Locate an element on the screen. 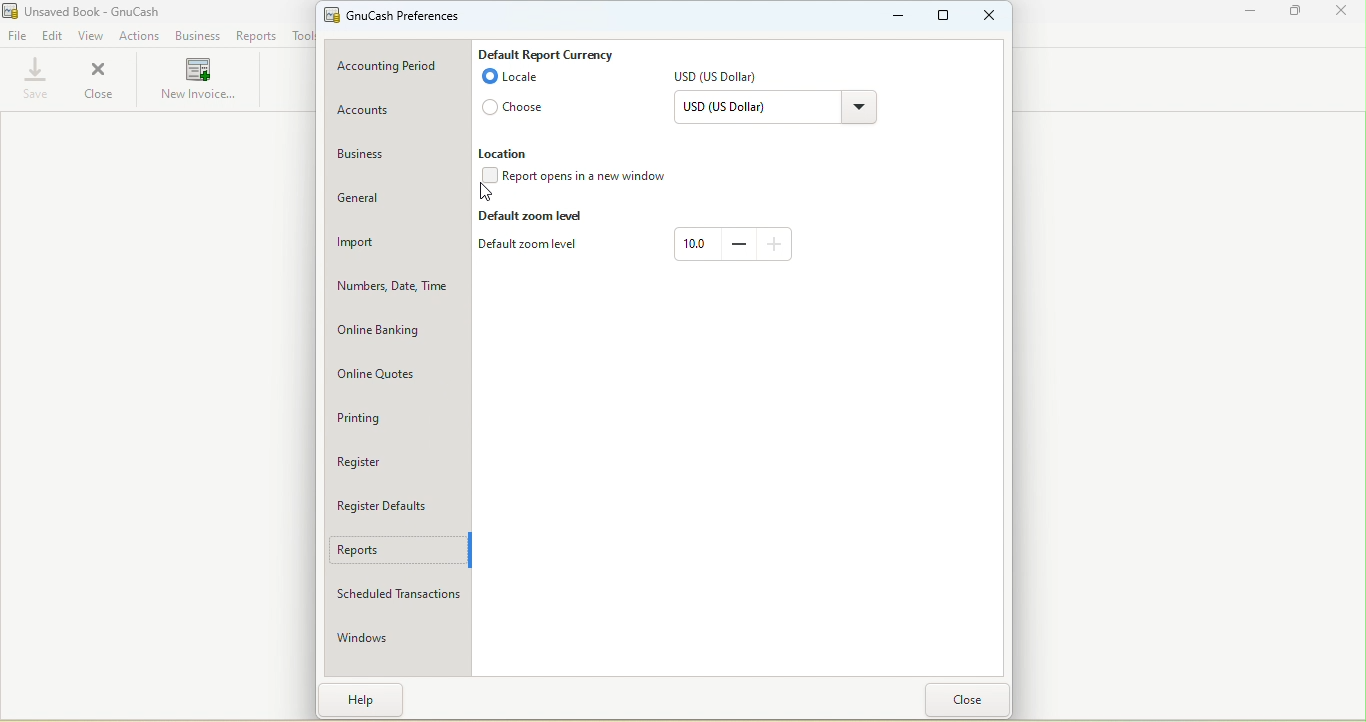  Reports is located at coordinates (397, 552).